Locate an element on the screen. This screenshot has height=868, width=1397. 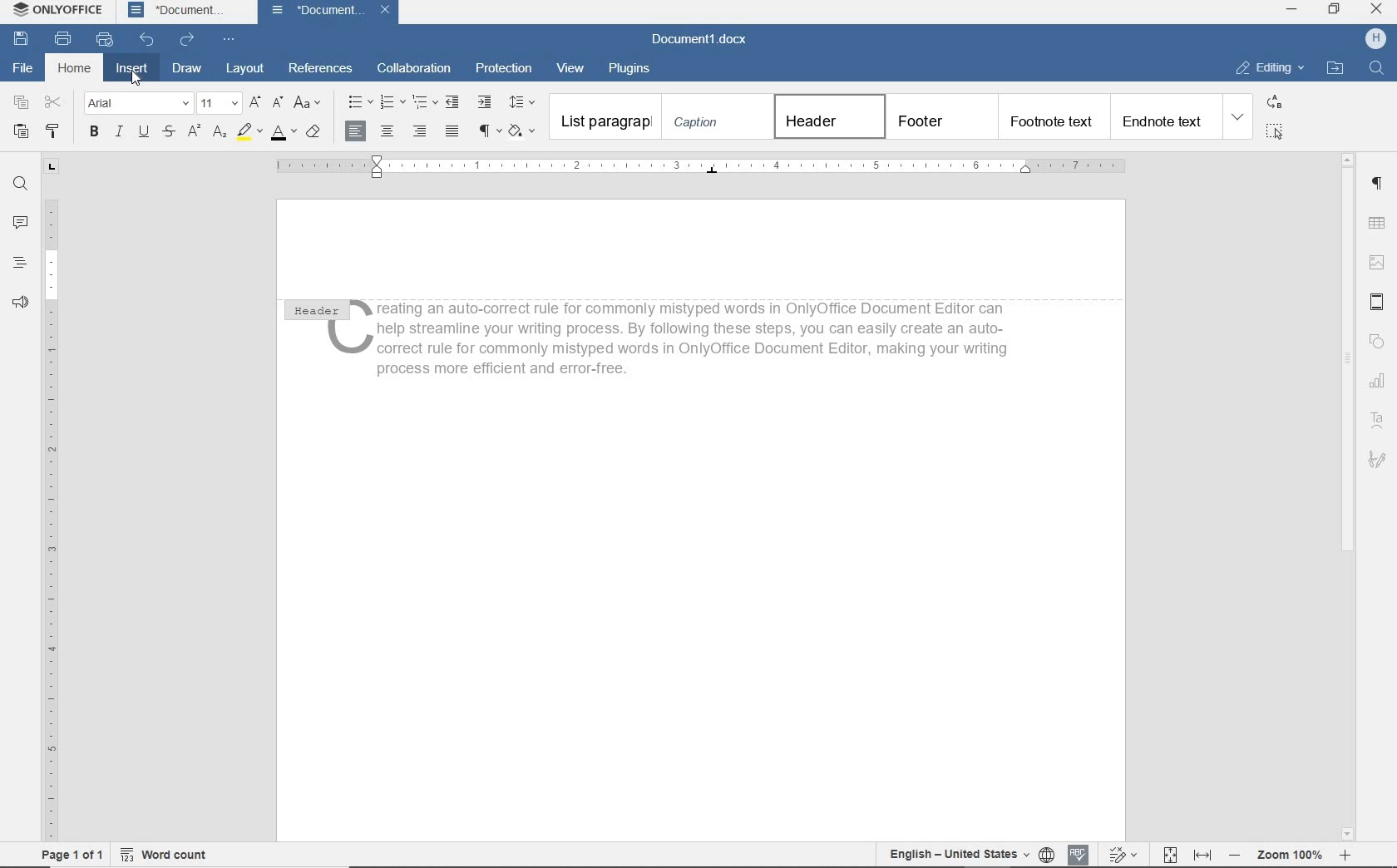
SIGNATURE is located at coordinates (1379, 462).